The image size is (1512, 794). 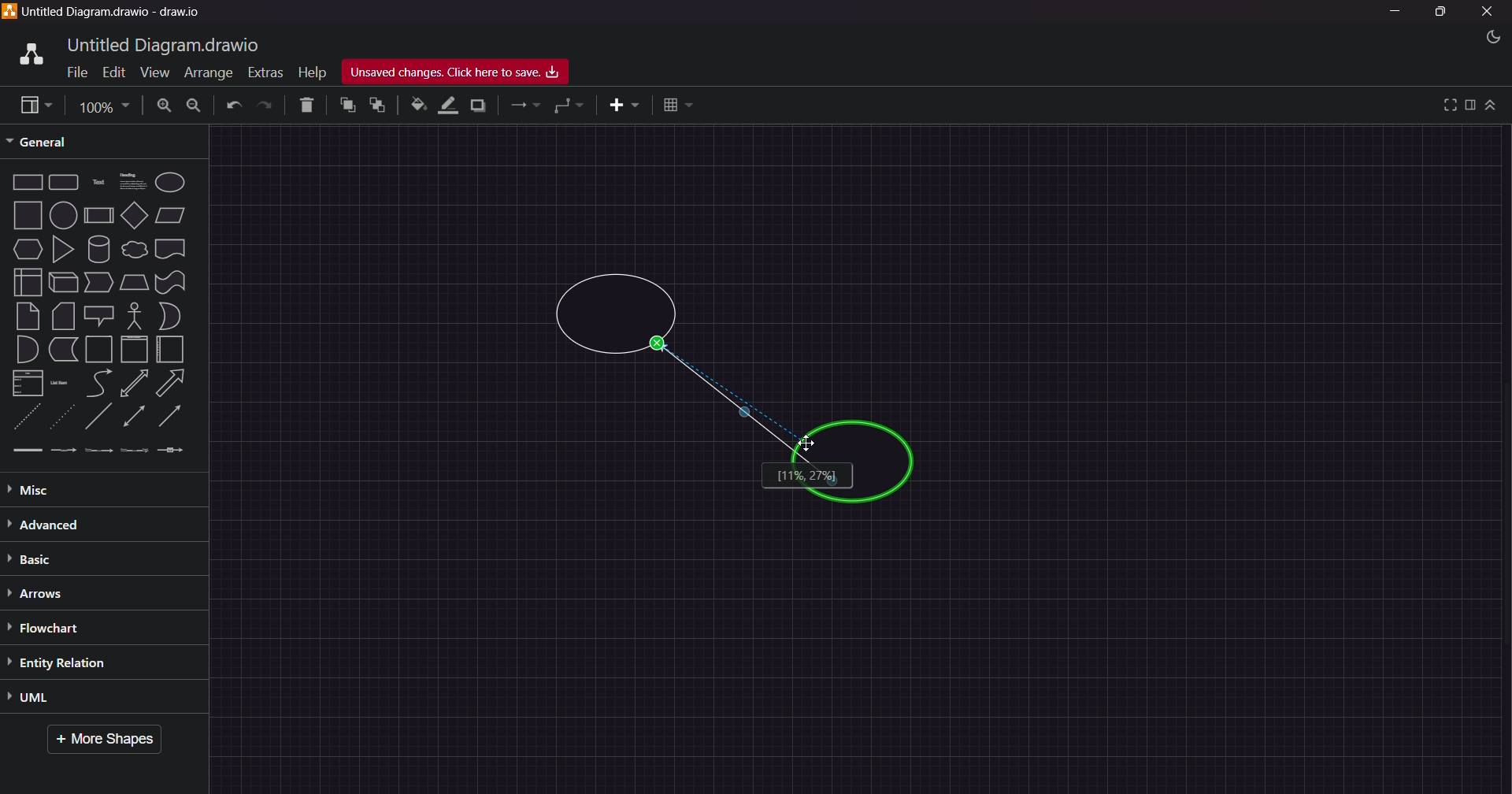 What do you see at coordinates (205, 74) in the screenshot?
I see `Arrange` at bounding box center [205, 74].